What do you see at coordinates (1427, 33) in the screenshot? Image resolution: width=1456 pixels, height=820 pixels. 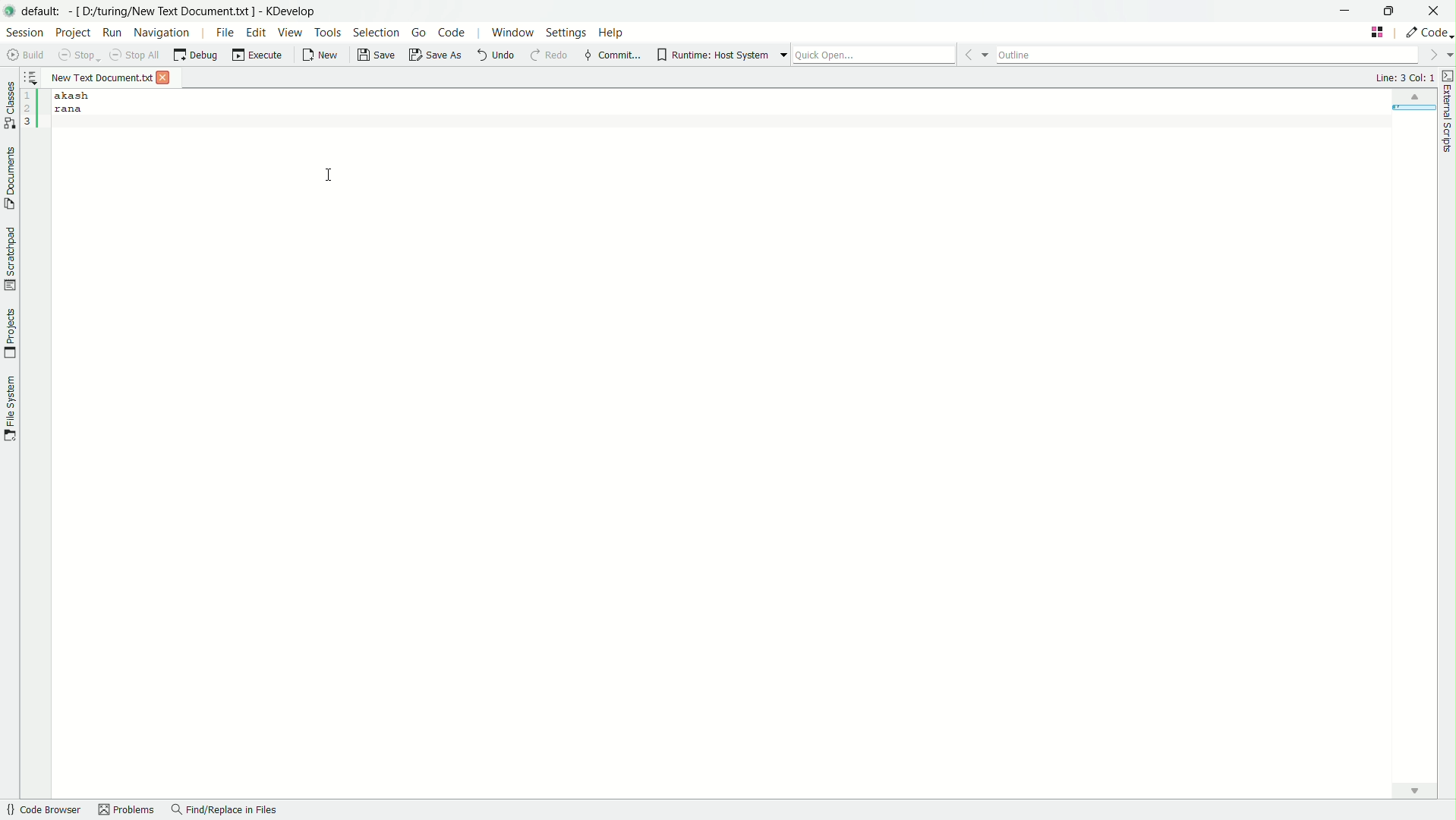 I see `execute action to change the area` at bounding box center [1427, 33].